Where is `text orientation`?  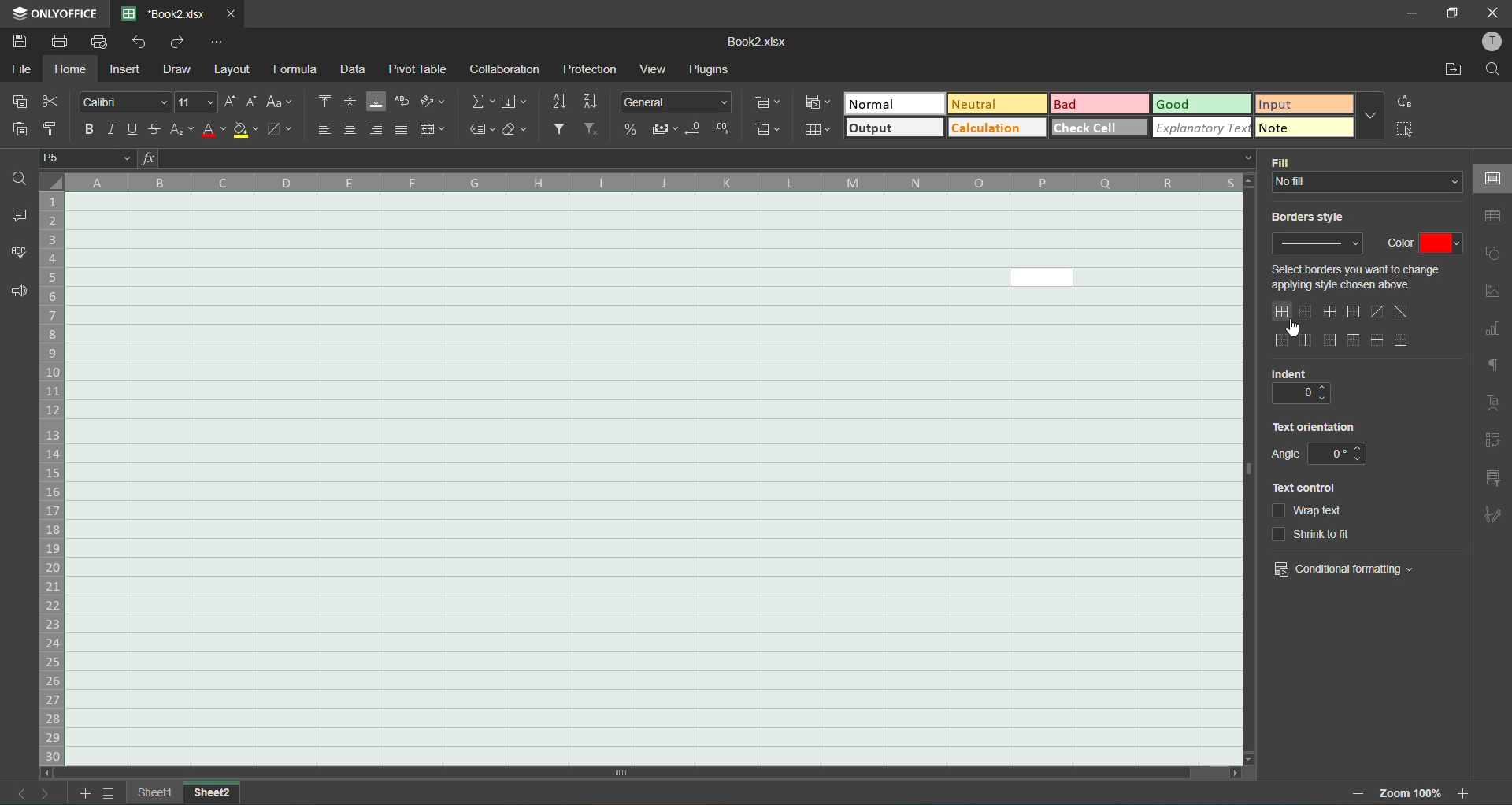
text orientation is located at coordinates (1316, 427).